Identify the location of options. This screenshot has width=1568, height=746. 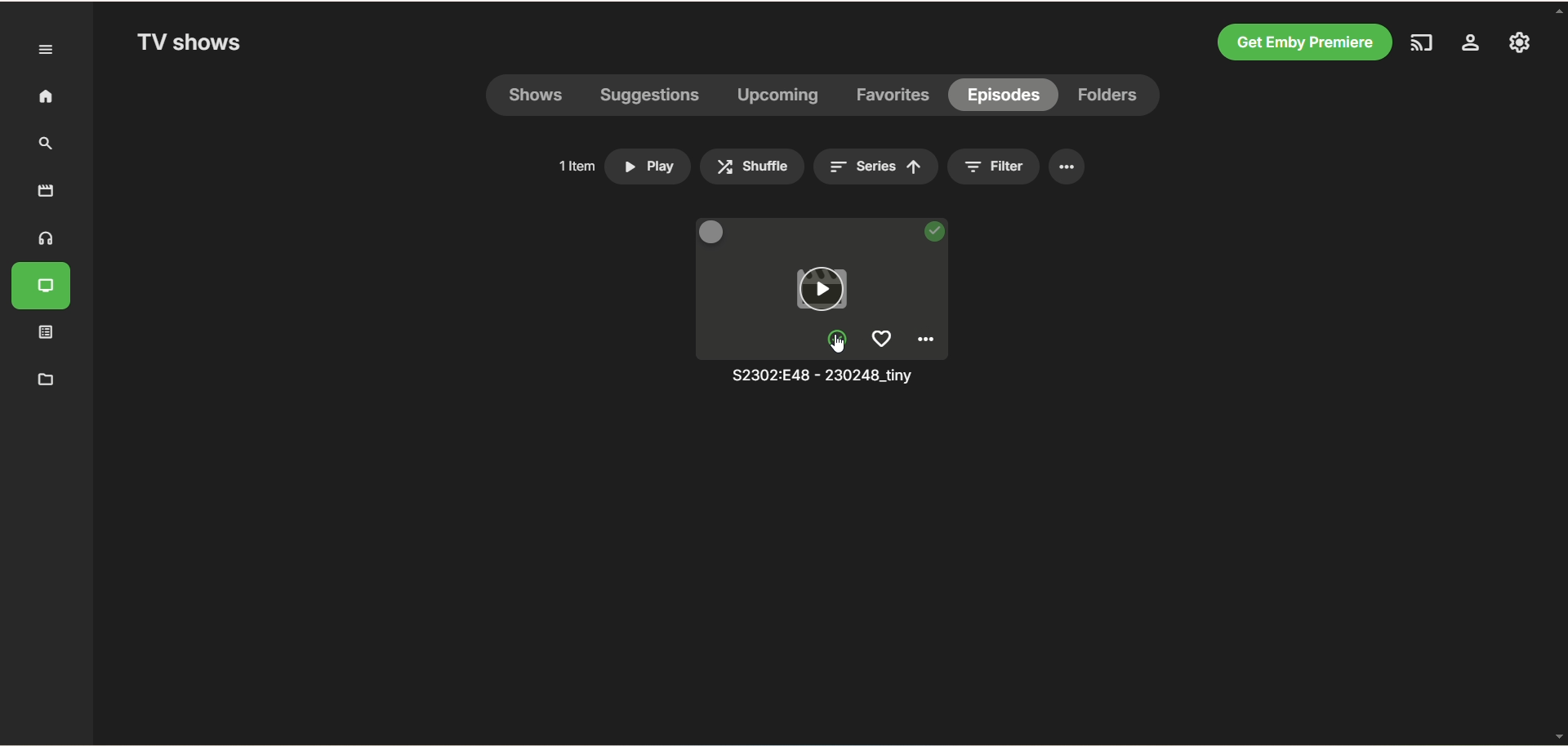
(1074, 170).